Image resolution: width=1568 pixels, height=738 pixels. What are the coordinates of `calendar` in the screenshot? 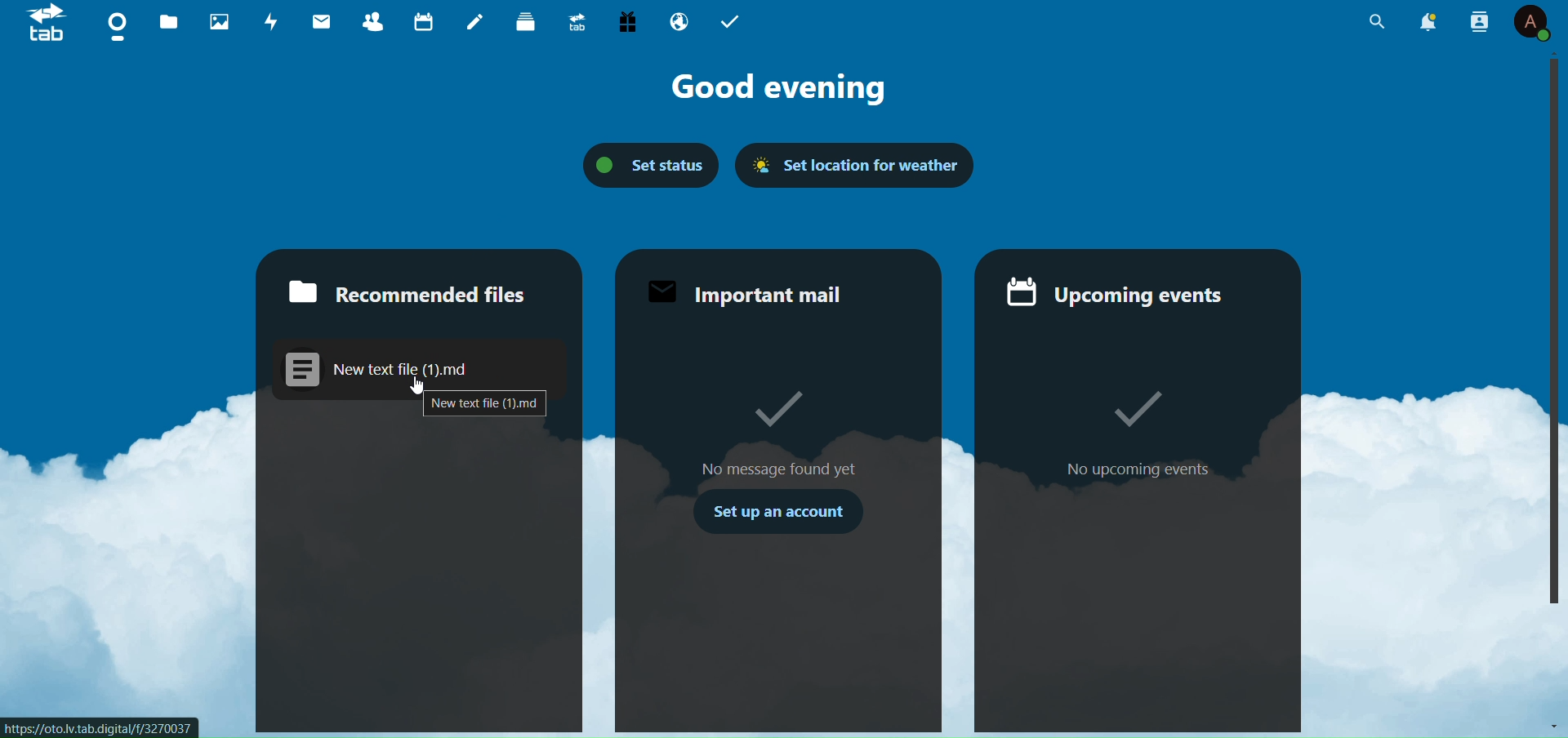 It's located at (420, 22).